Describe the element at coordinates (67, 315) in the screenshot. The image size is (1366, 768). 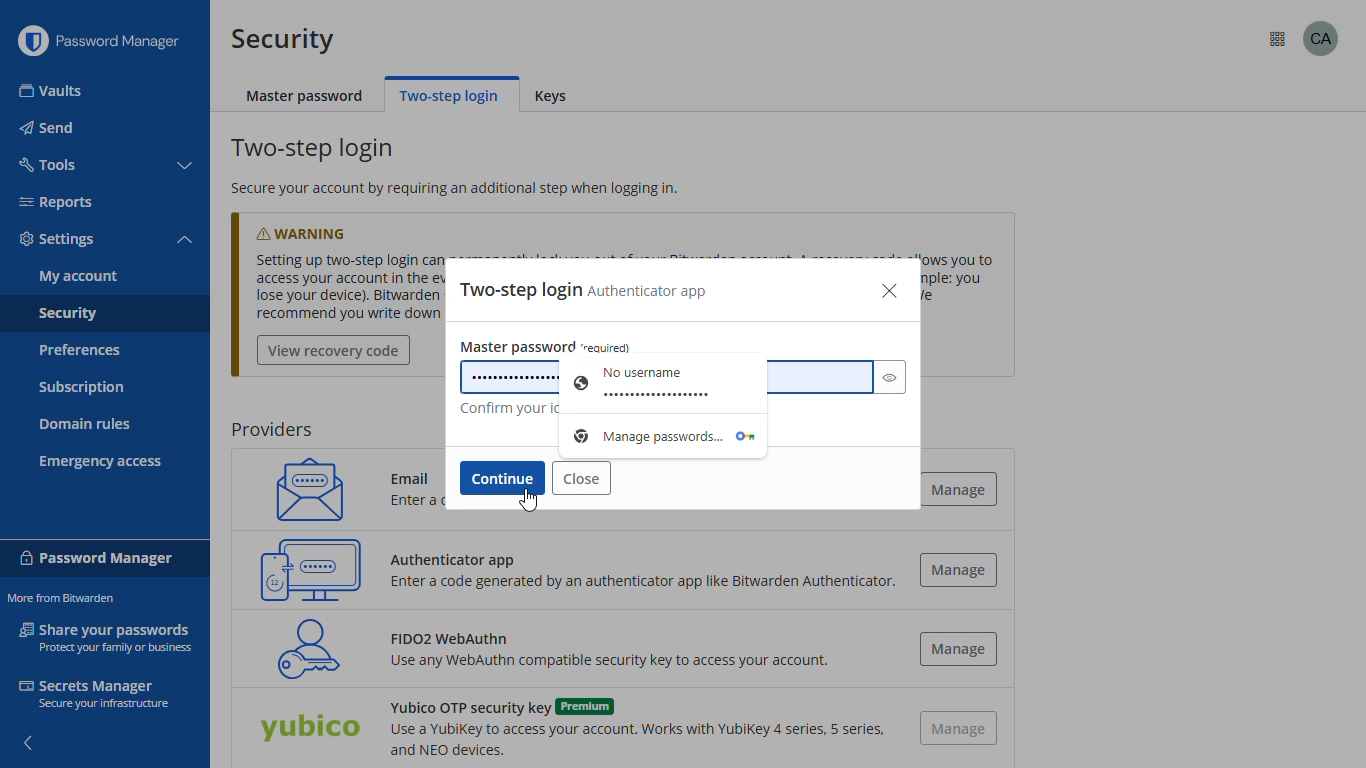
I see `security` at that location.